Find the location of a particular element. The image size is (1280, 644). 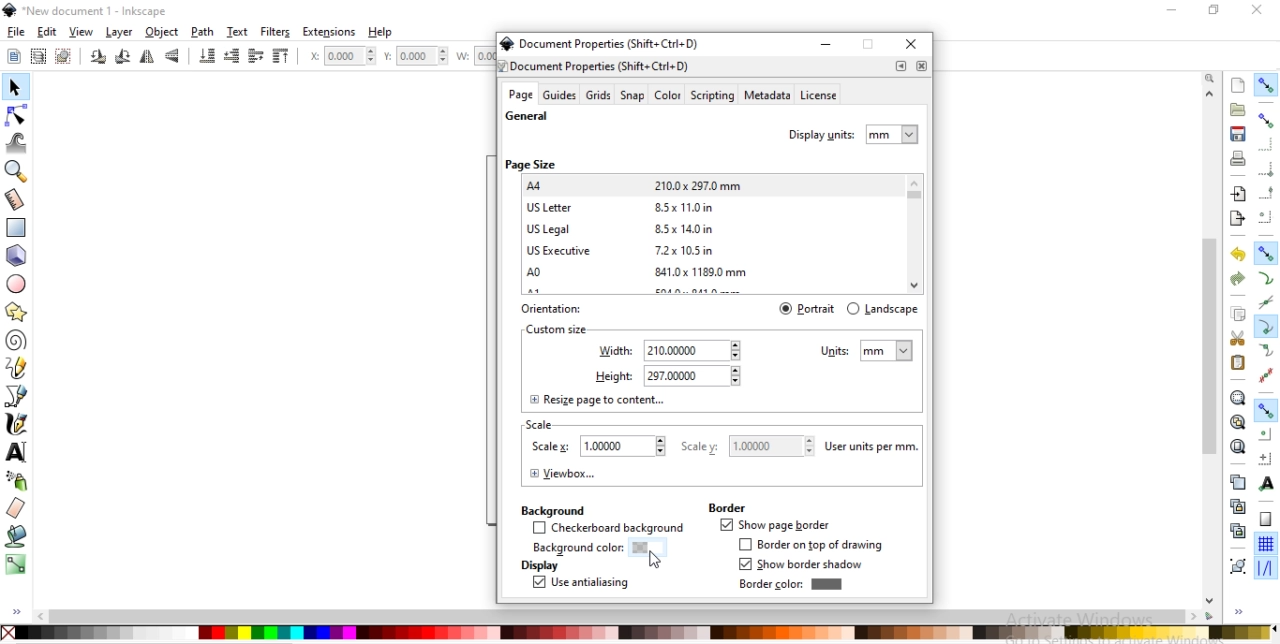

scale is located at coordinates (533, 423).